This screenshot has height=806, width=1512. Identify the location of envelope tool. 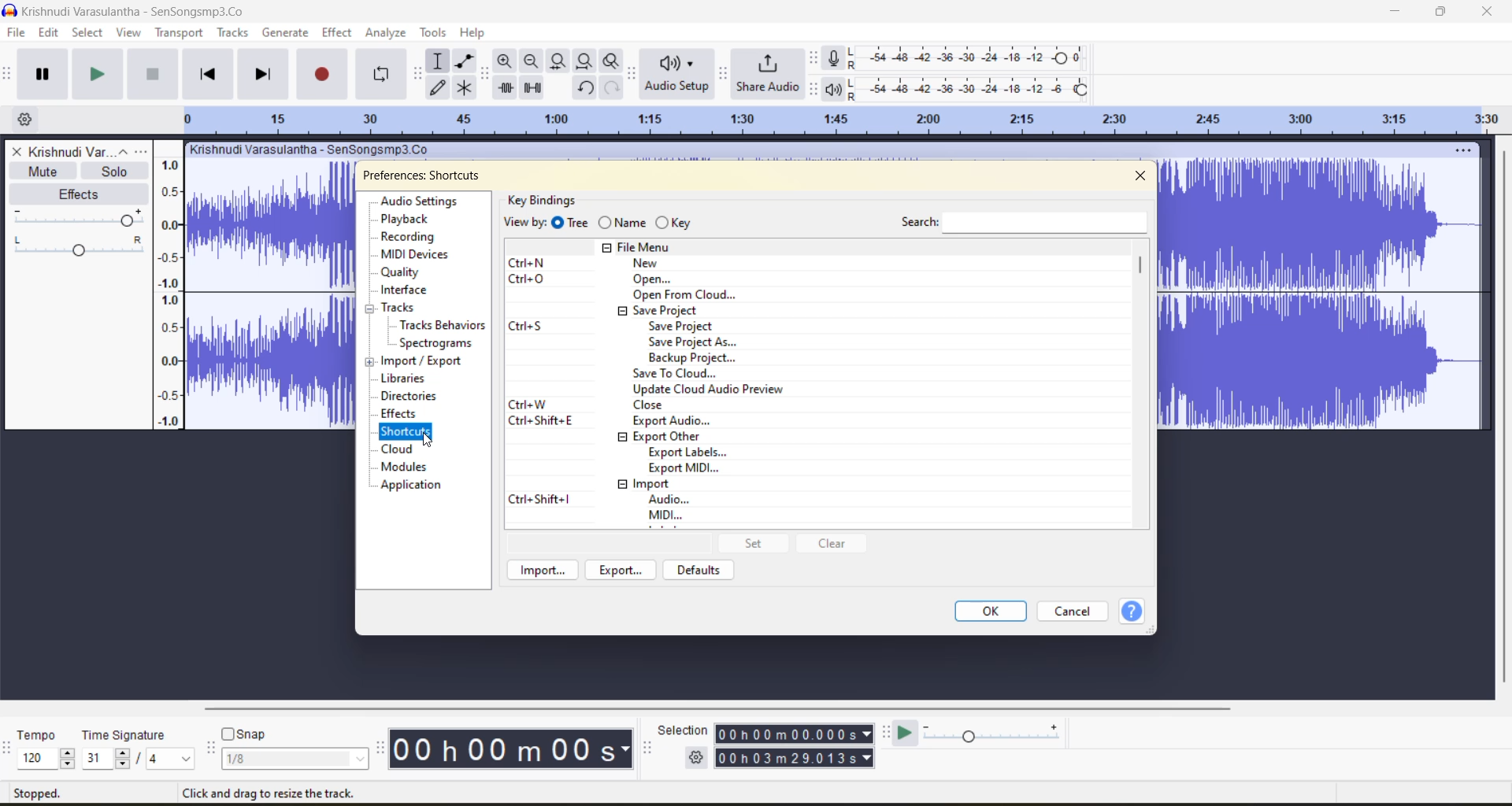
(465, 61).